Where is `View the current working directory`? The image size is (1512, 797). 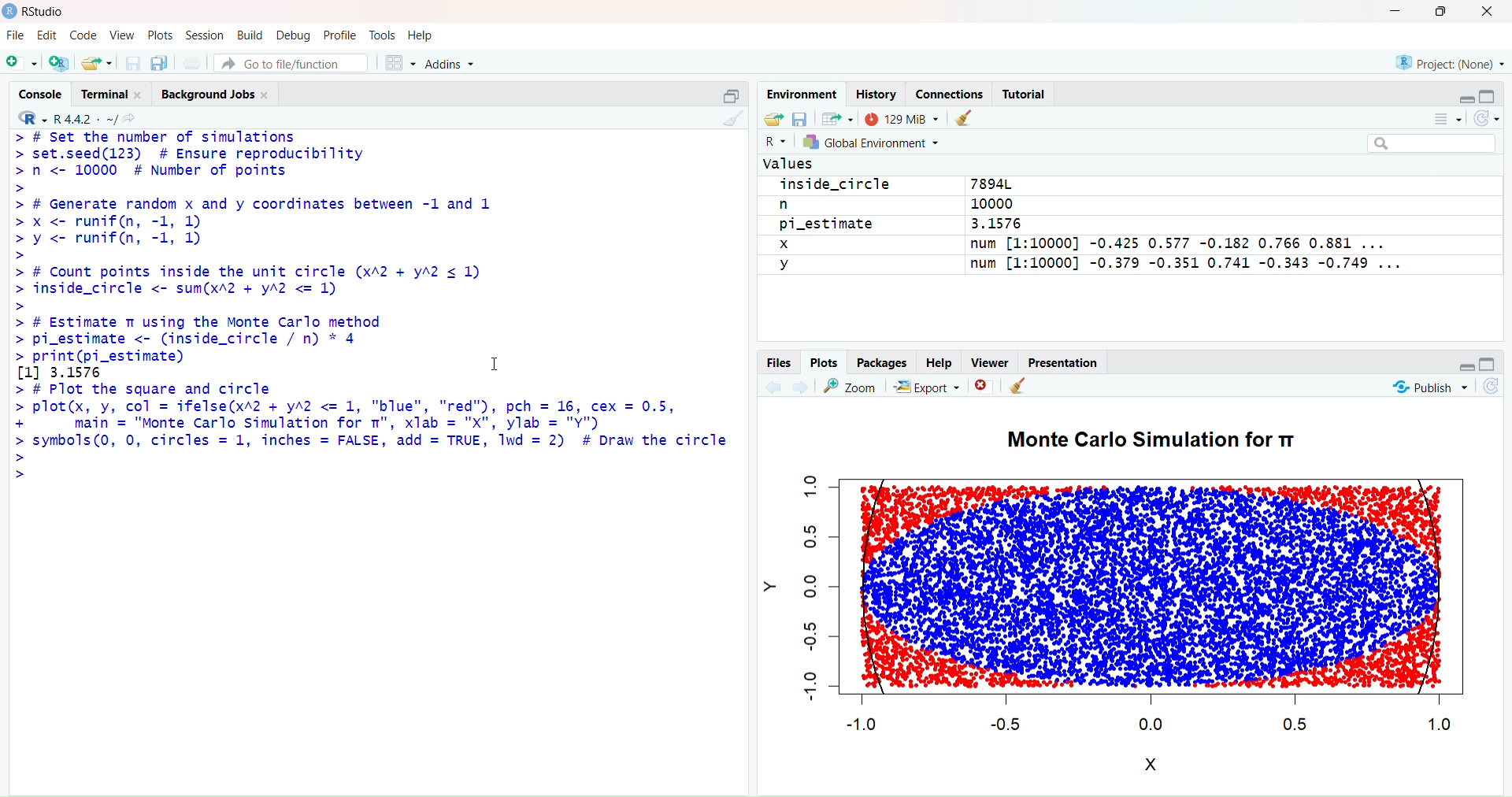 View the current working directory is located at coordinates (135, 117).